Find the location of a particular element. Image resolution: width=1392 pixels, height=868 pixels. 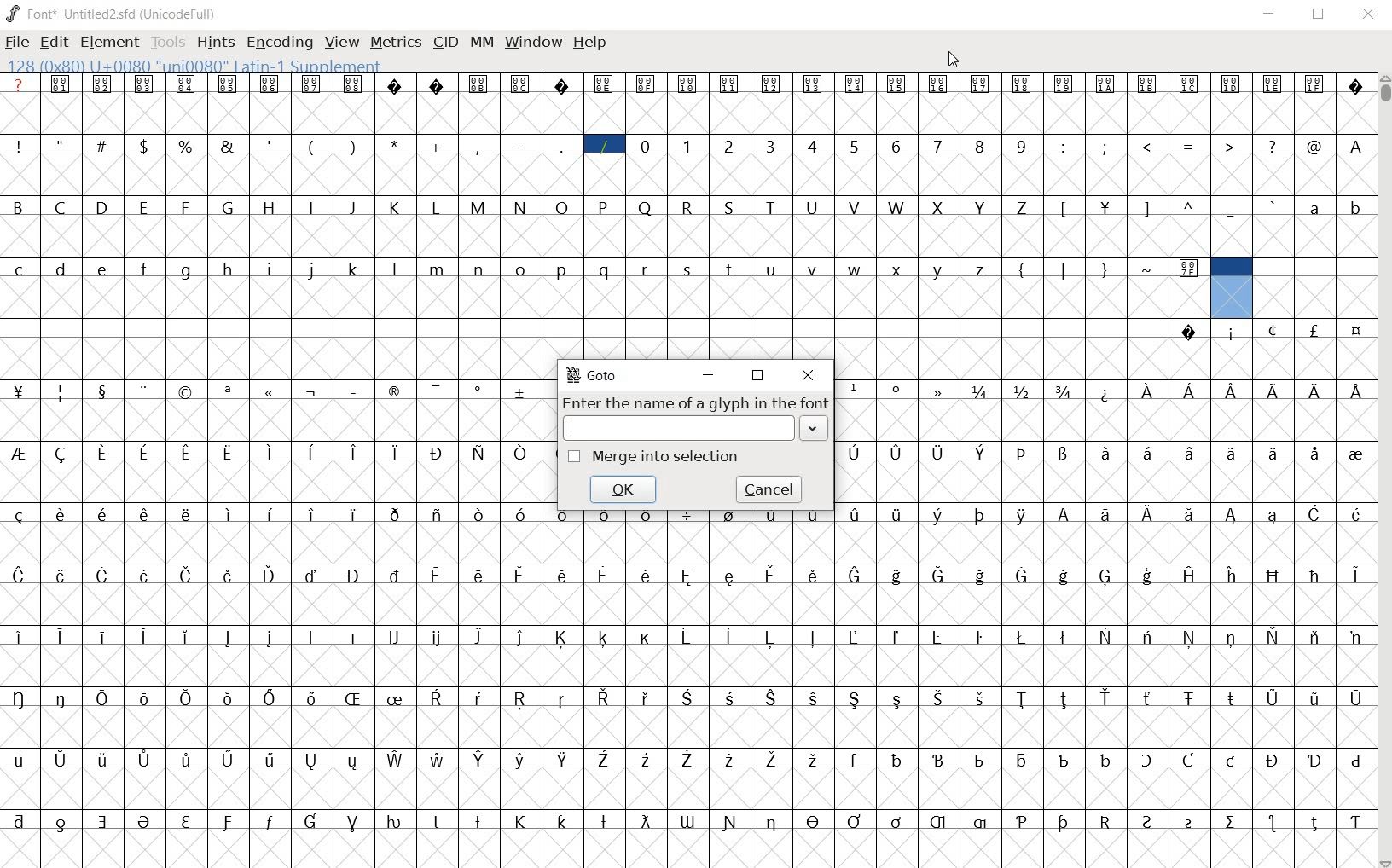

Symbol is located at coordinates (105, 391).